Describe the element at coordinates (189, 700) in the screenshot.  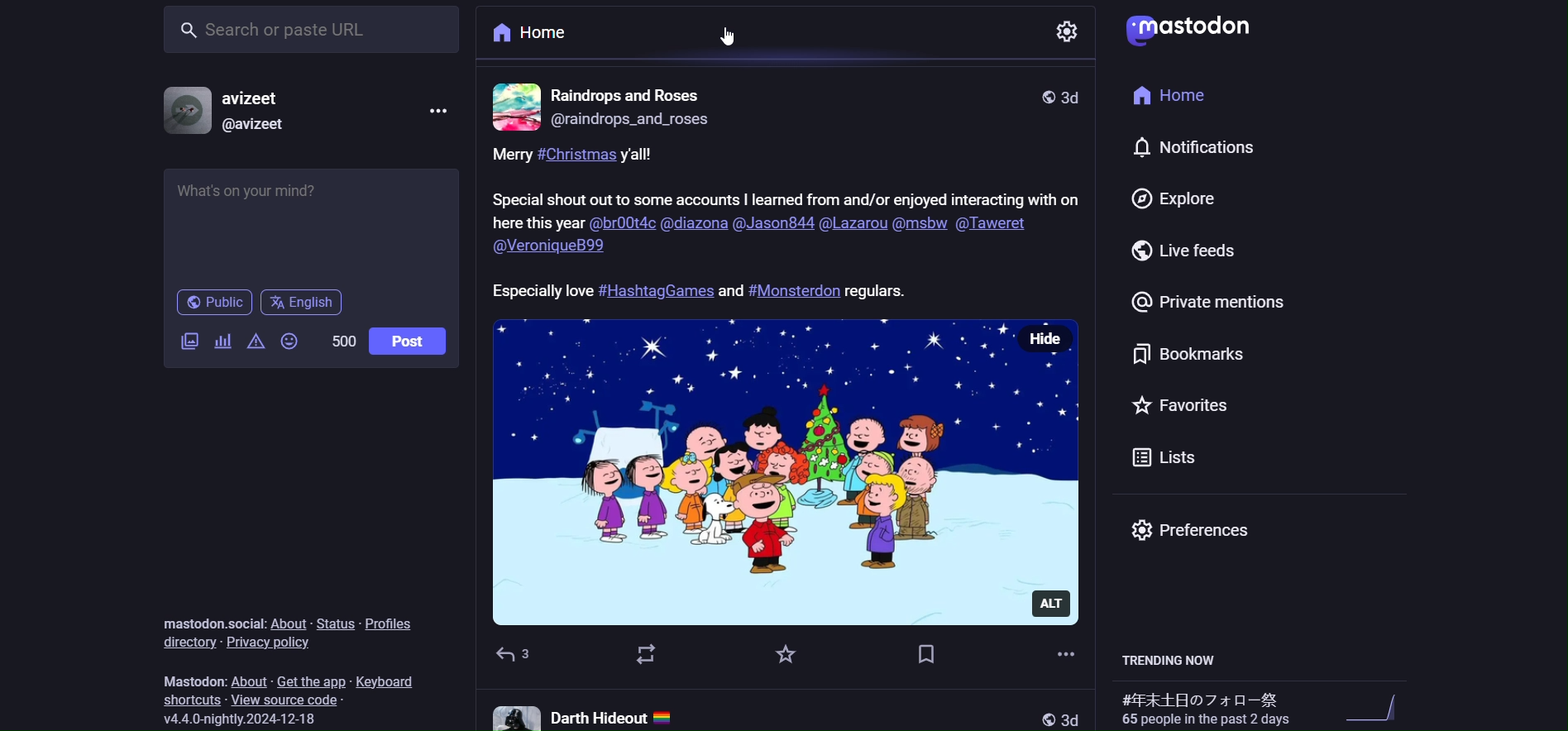
I see `shortcut` at that location.